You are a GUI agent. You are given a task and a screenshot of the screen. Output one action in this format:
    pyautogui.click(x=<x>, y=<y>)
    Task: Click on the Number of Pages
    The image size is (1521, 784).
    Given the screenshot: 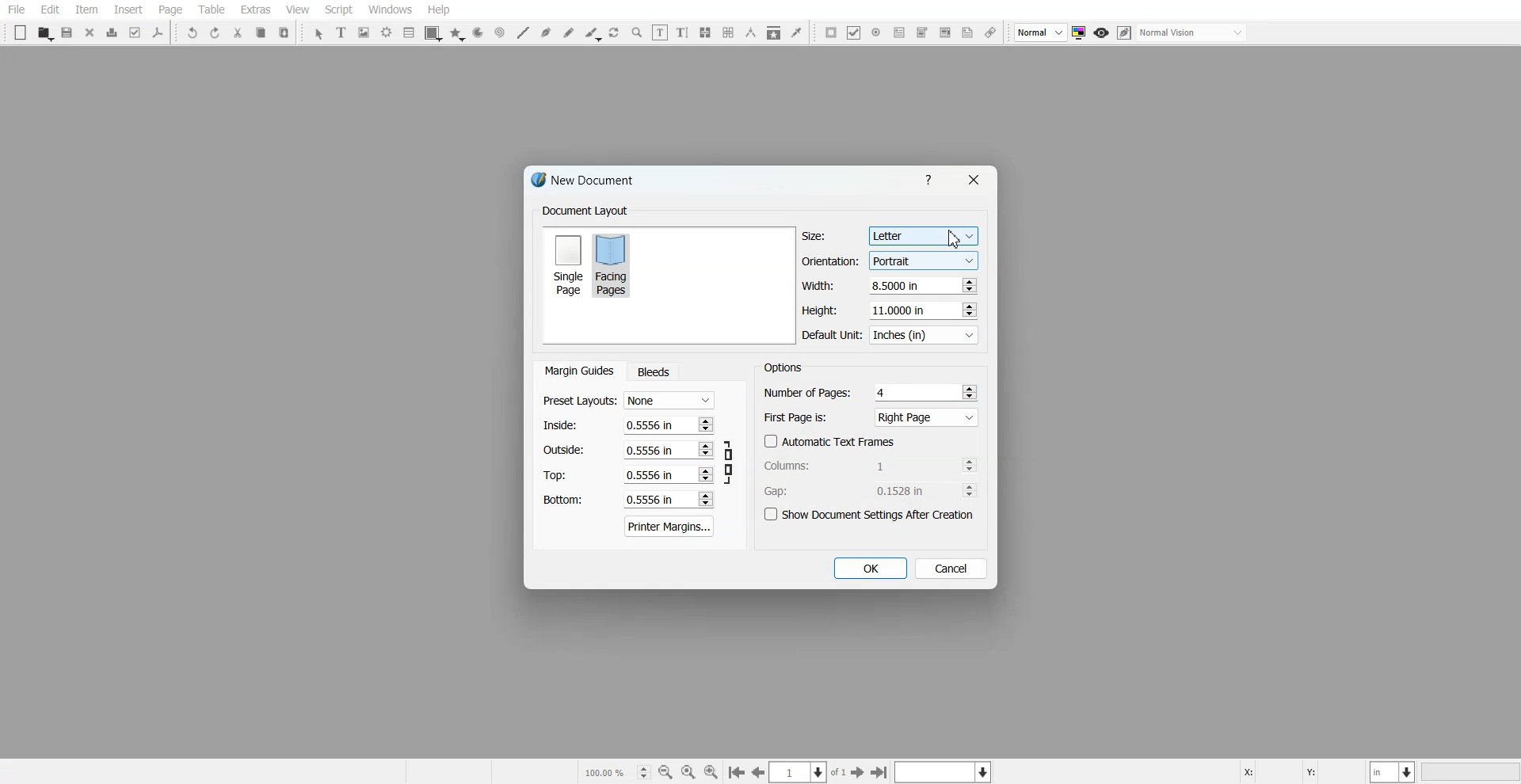 What is the action you would take?
    pyautogui.click(x=871, y=392)
    